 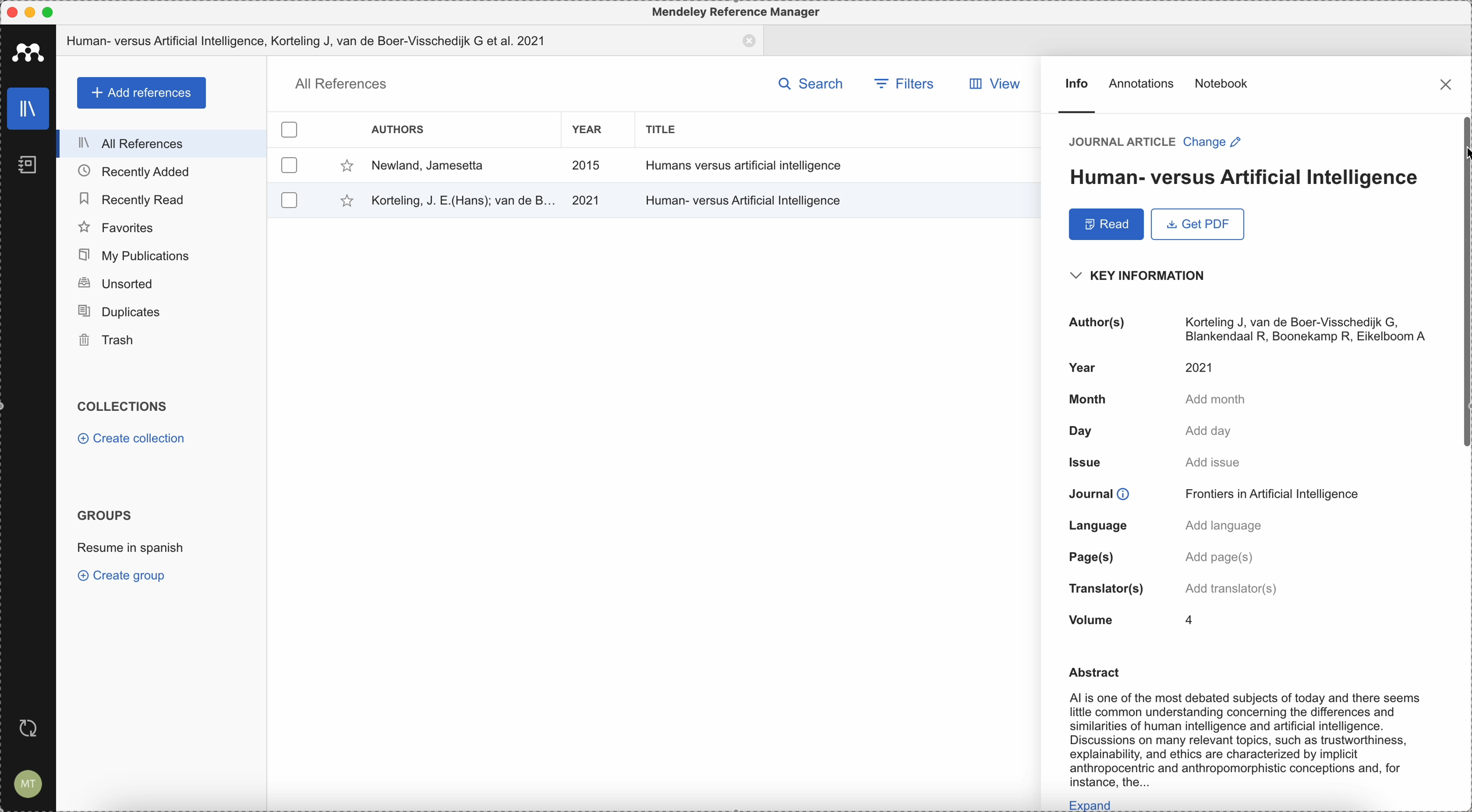 I want to click on change, so click(x=1214, y=142).